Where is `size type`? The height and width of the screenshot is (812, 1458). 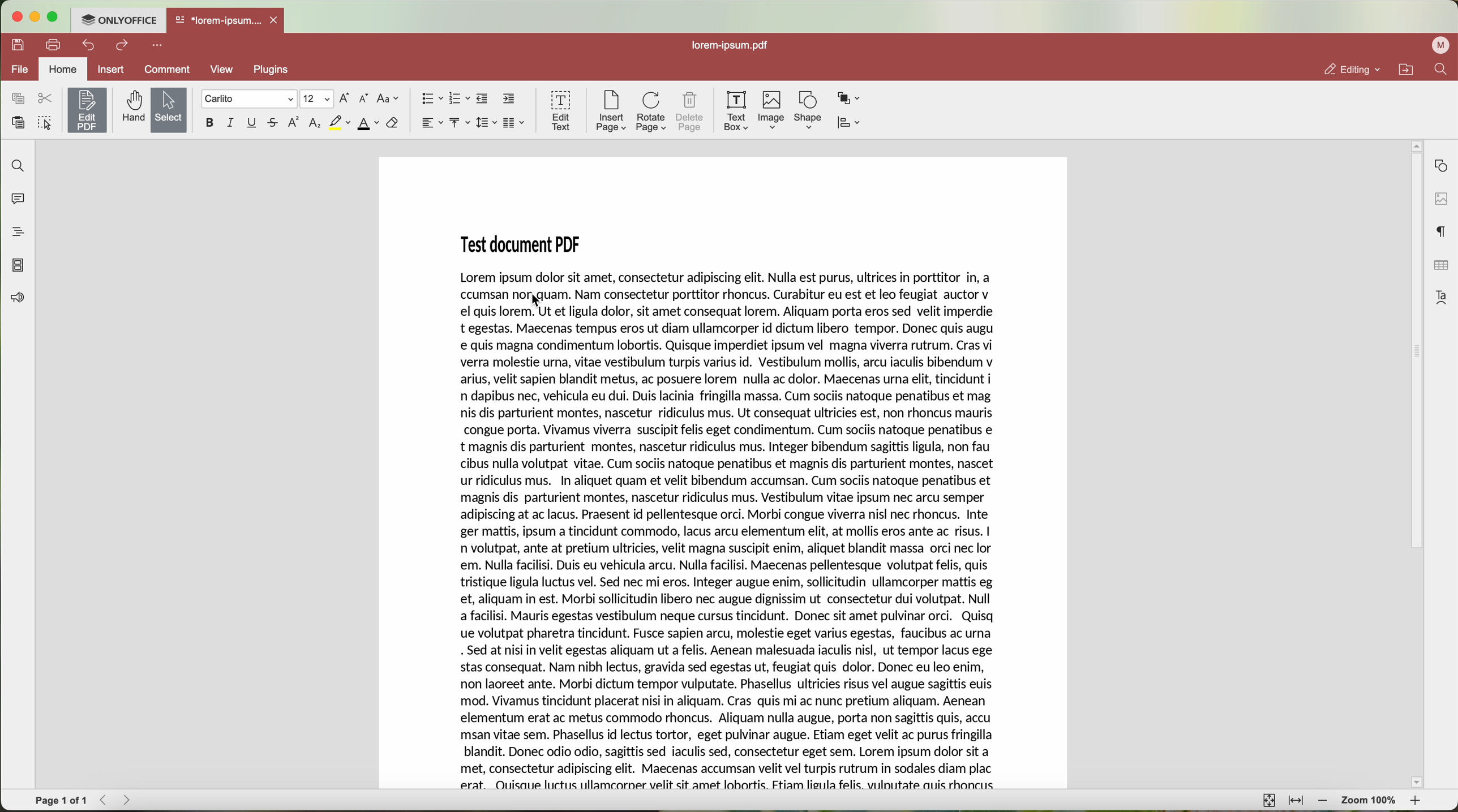 size type is located at coordinates (316, 98).